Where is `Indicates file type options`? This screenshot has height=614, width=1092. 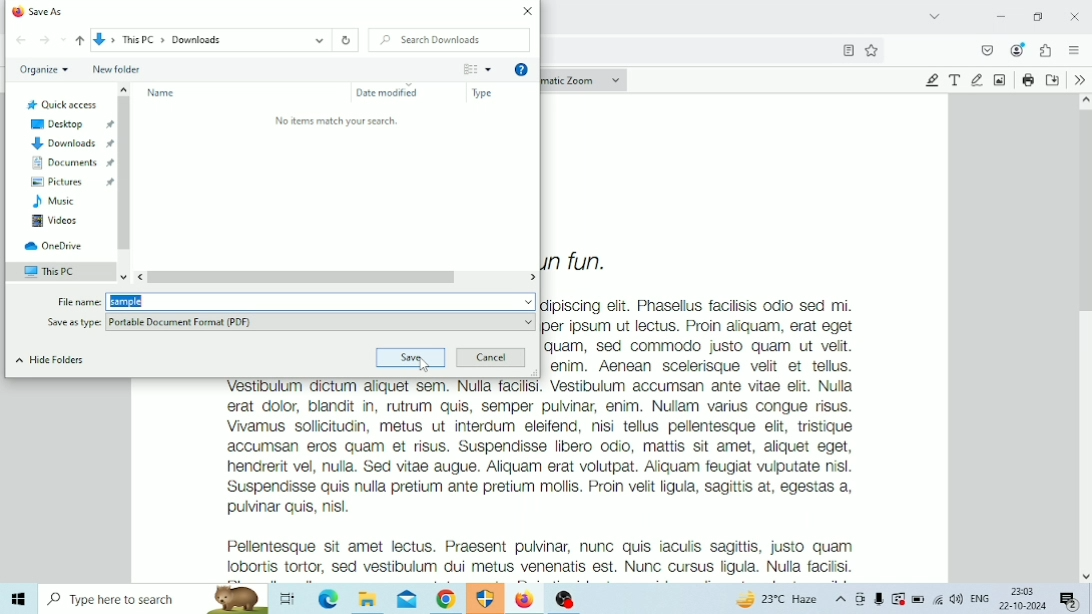 Indicates file type options is located at coordinates (74, 323).